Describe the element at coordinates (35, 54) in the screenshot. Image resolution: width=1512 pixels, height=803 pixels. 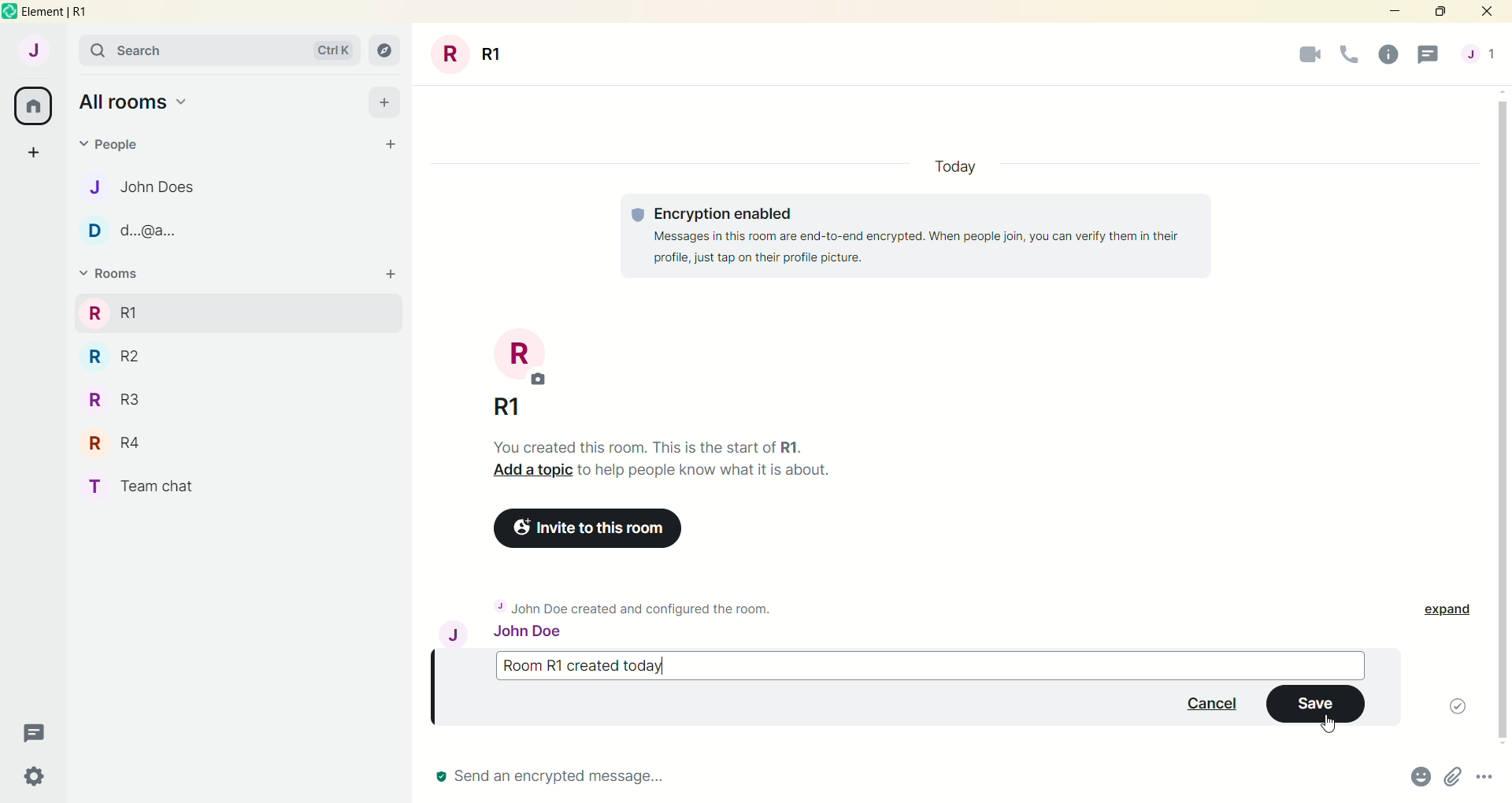
I see `account` at that location.